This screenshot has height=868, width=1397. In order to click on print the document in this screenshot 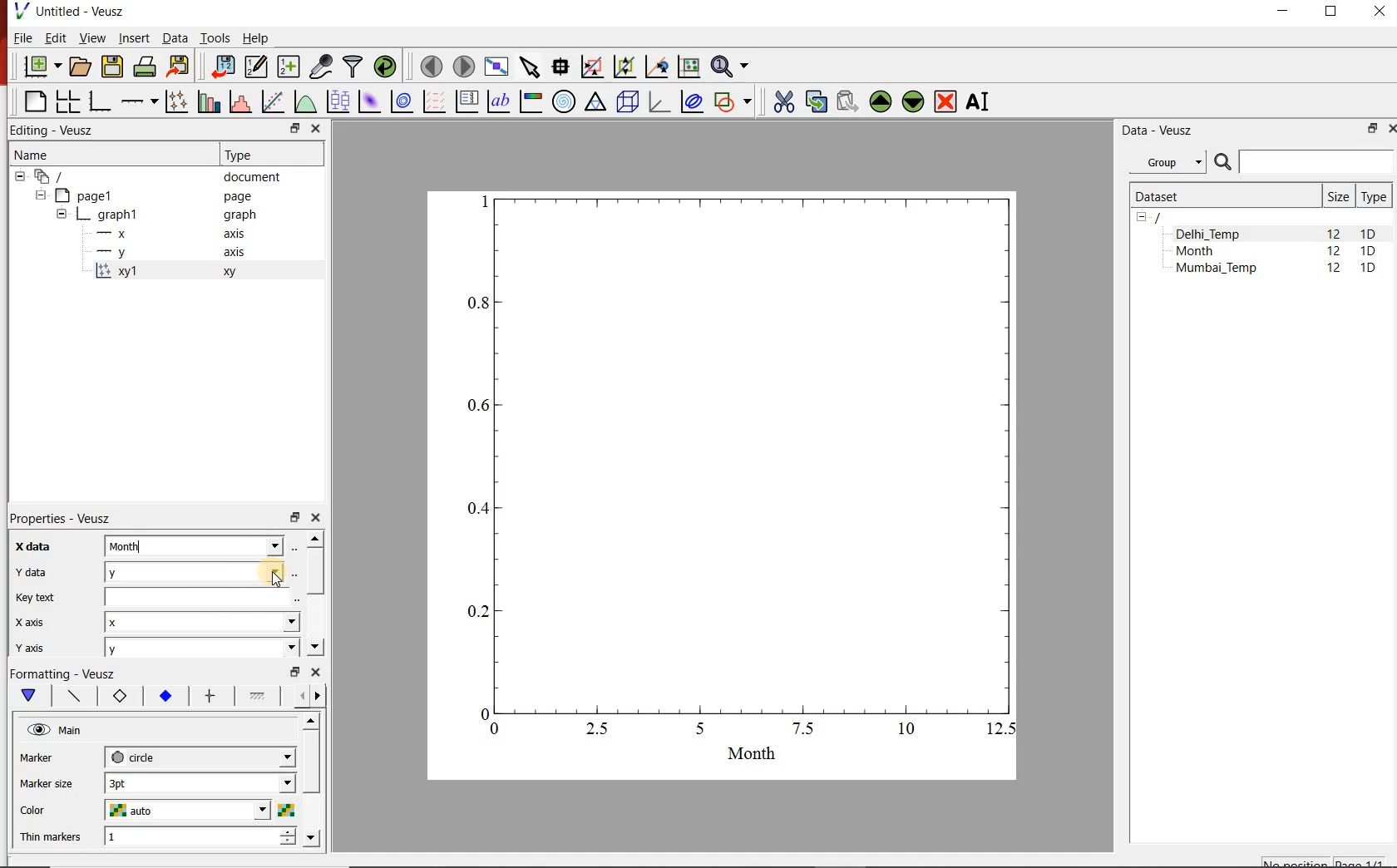, I will do `click(145, 67)`.